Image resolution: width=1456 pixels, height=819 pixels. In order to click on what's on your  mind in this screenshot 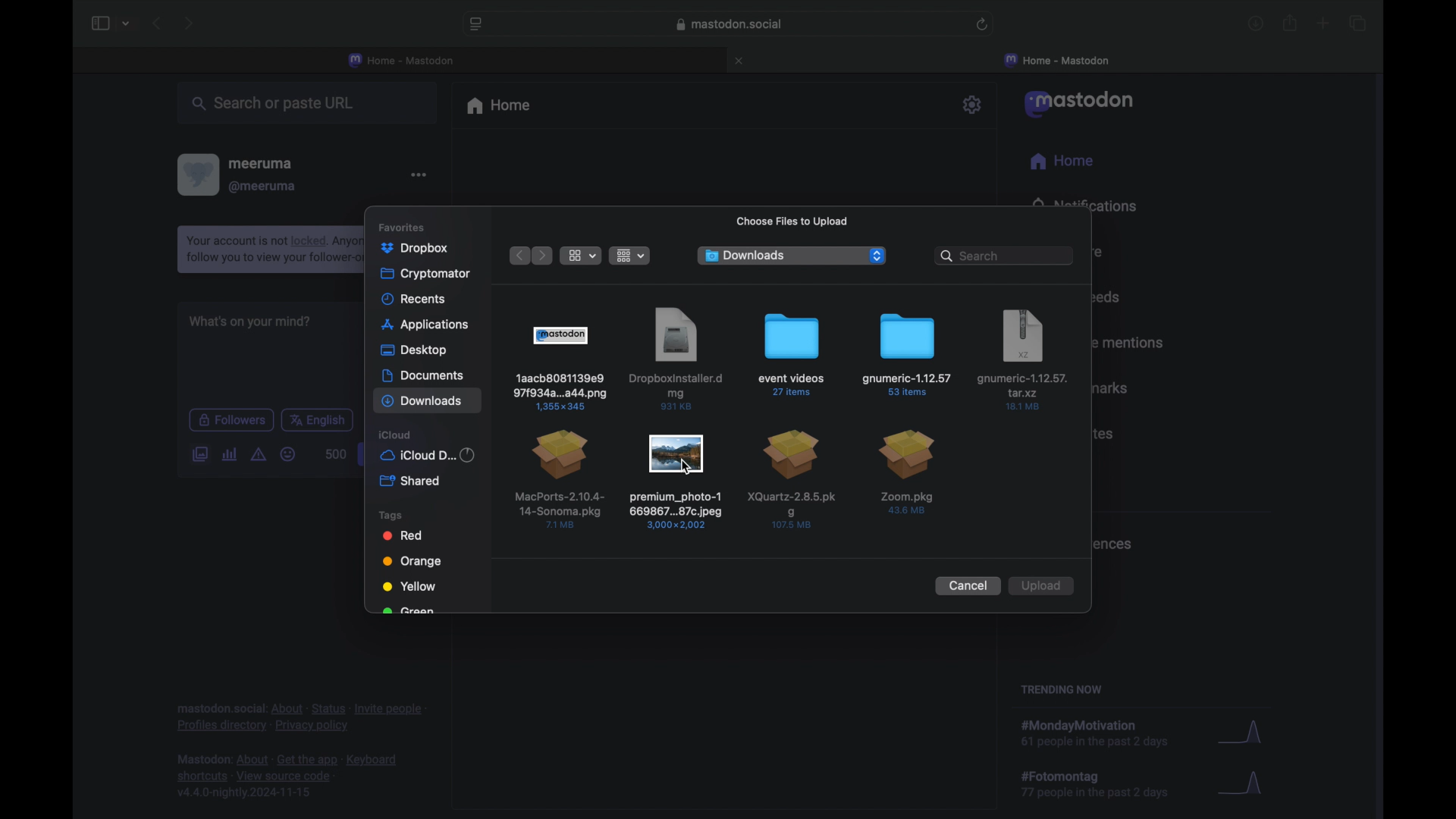, I will do `click(249, 322)`.